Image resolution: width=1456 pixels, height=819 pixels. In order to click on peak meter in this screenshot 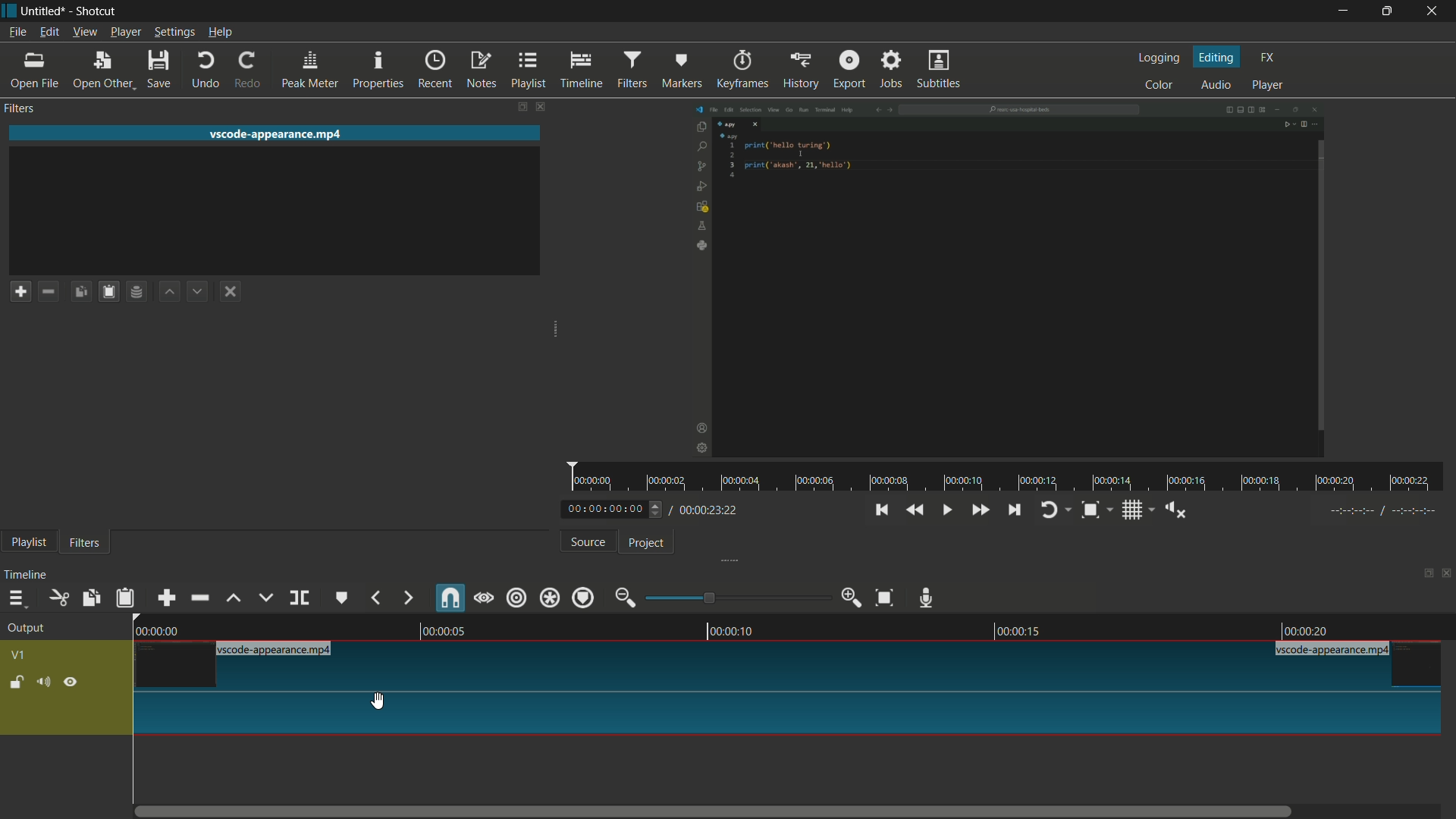, I will do `click(312, 70)`.